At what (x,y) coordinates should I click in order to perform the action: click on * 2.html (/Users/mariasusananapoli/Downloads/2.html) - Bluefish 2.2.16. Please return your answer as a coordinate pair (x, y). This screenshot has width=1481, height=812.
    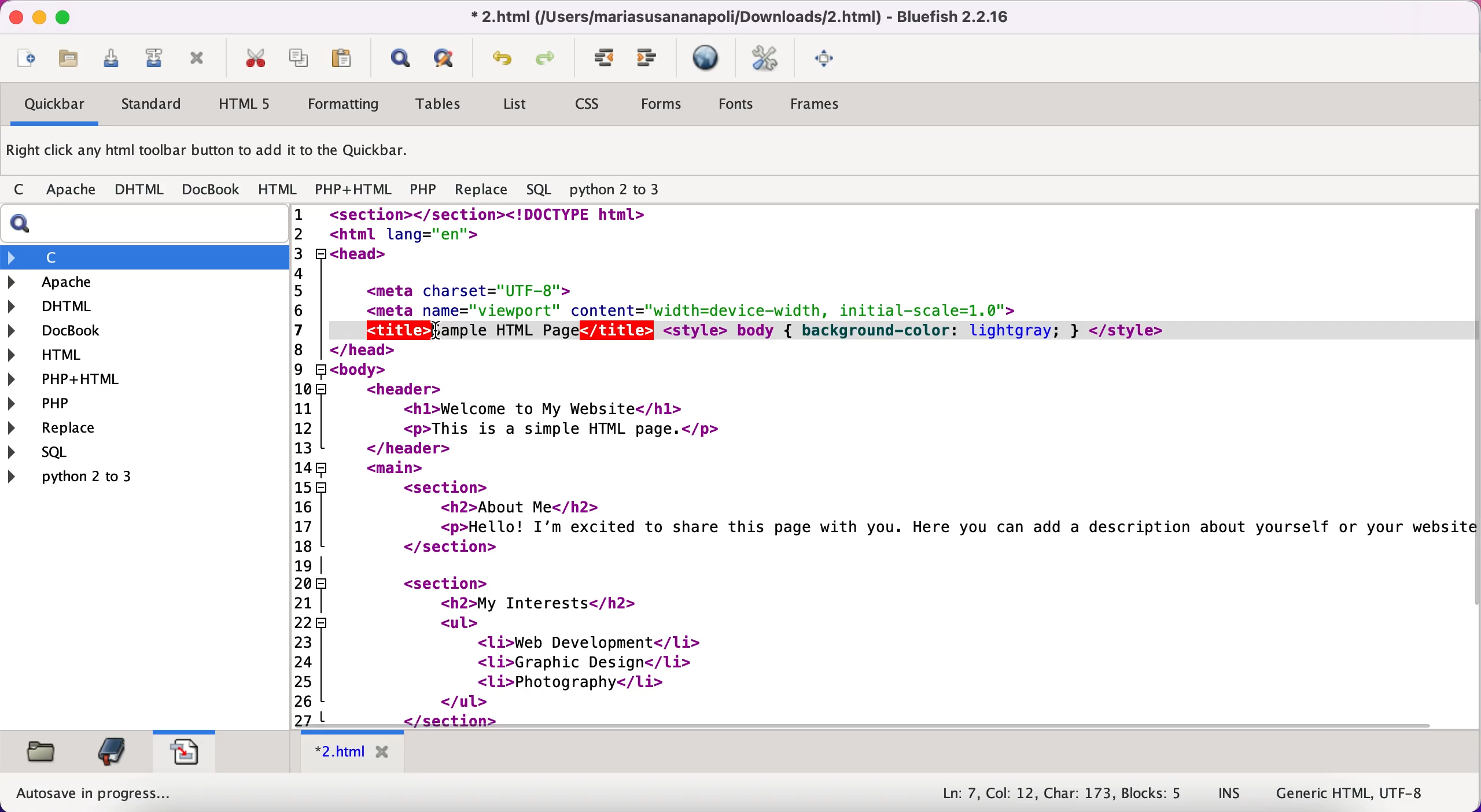
    Looking at the image, I should click on (736, 16).